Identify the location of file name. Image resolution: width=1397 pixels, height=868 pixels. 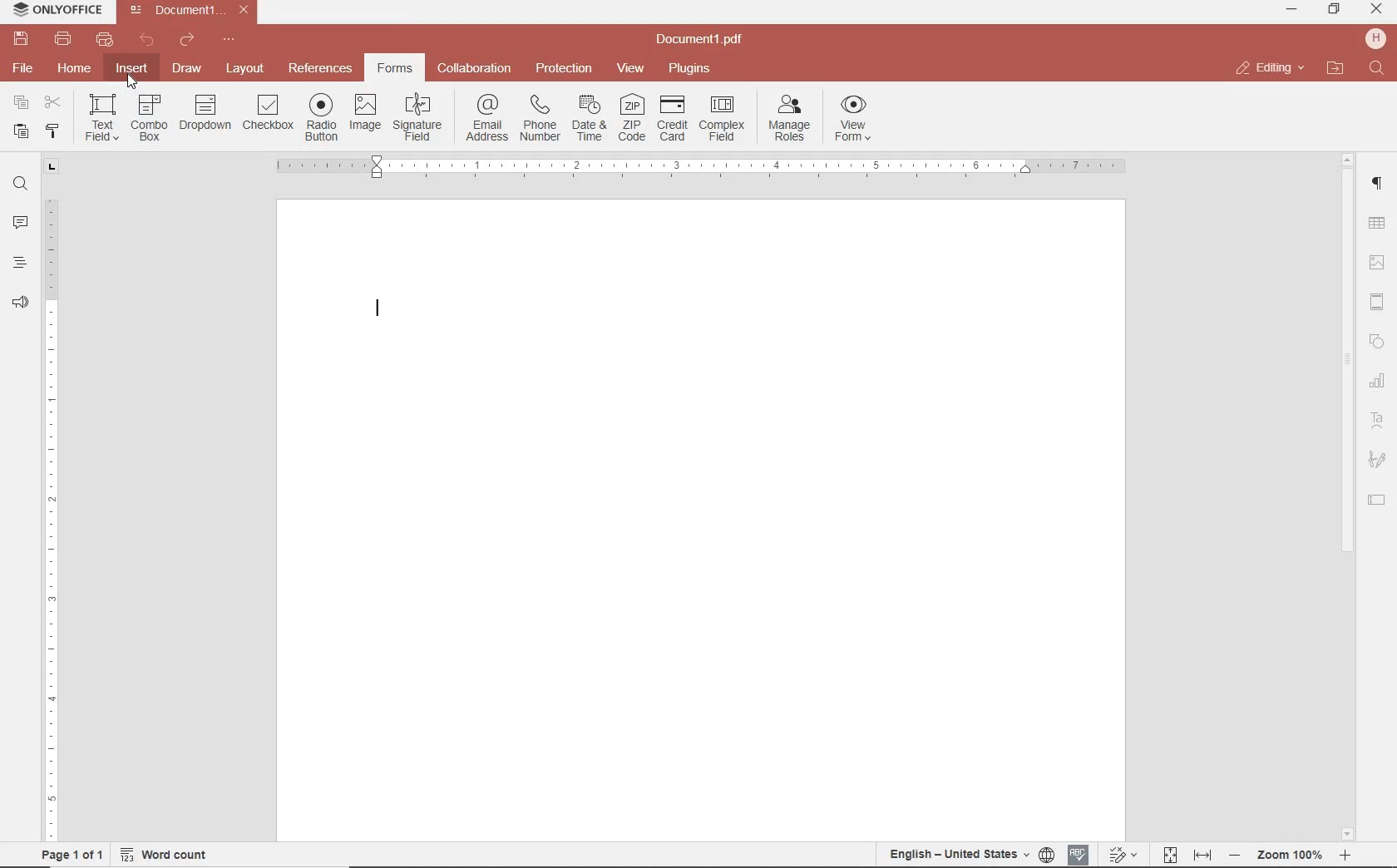
(193, 10).